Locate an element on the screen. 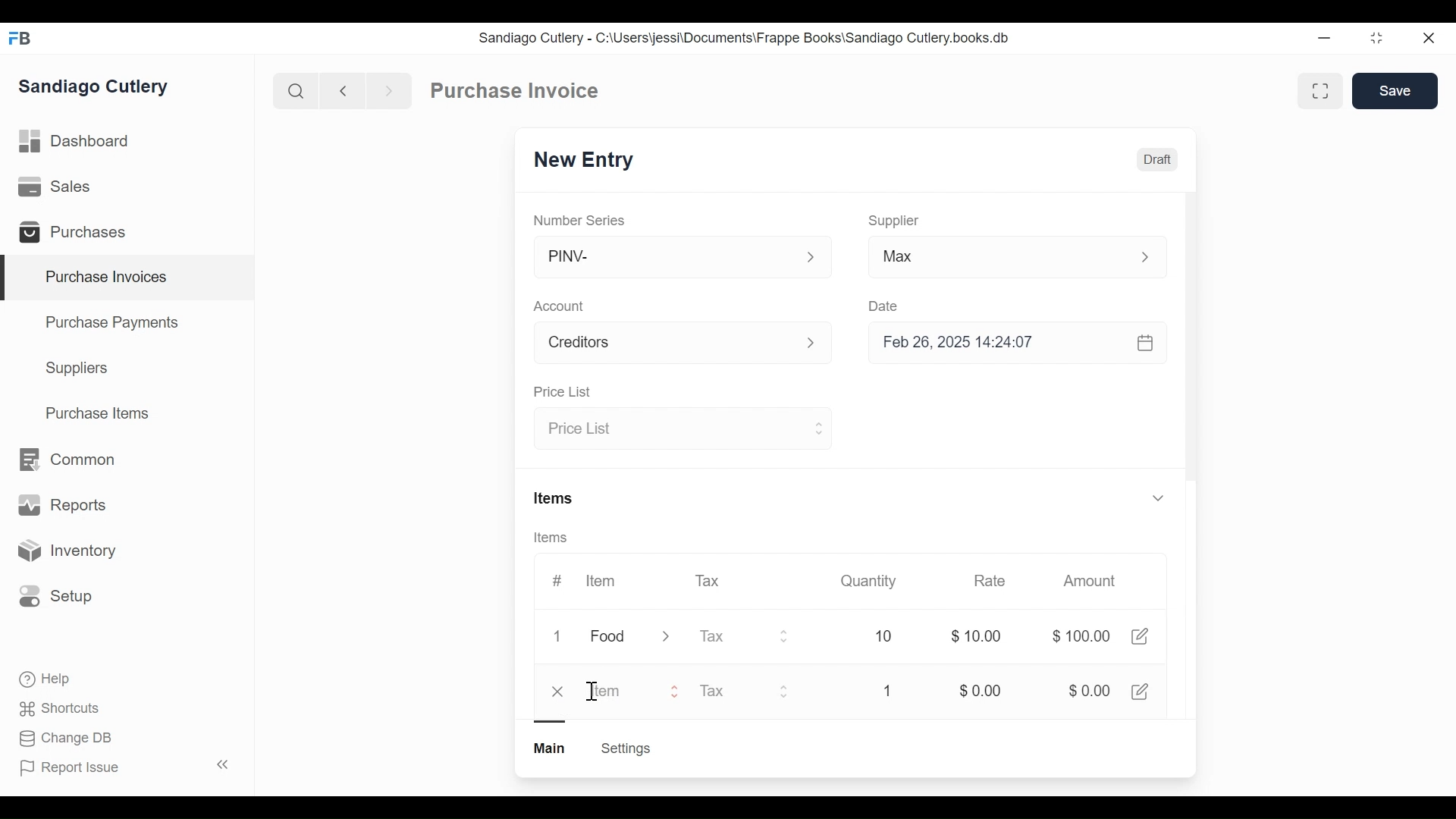 The height and width of the screenshot is (819, 1456). Sales is located at coordinates (58, 187).